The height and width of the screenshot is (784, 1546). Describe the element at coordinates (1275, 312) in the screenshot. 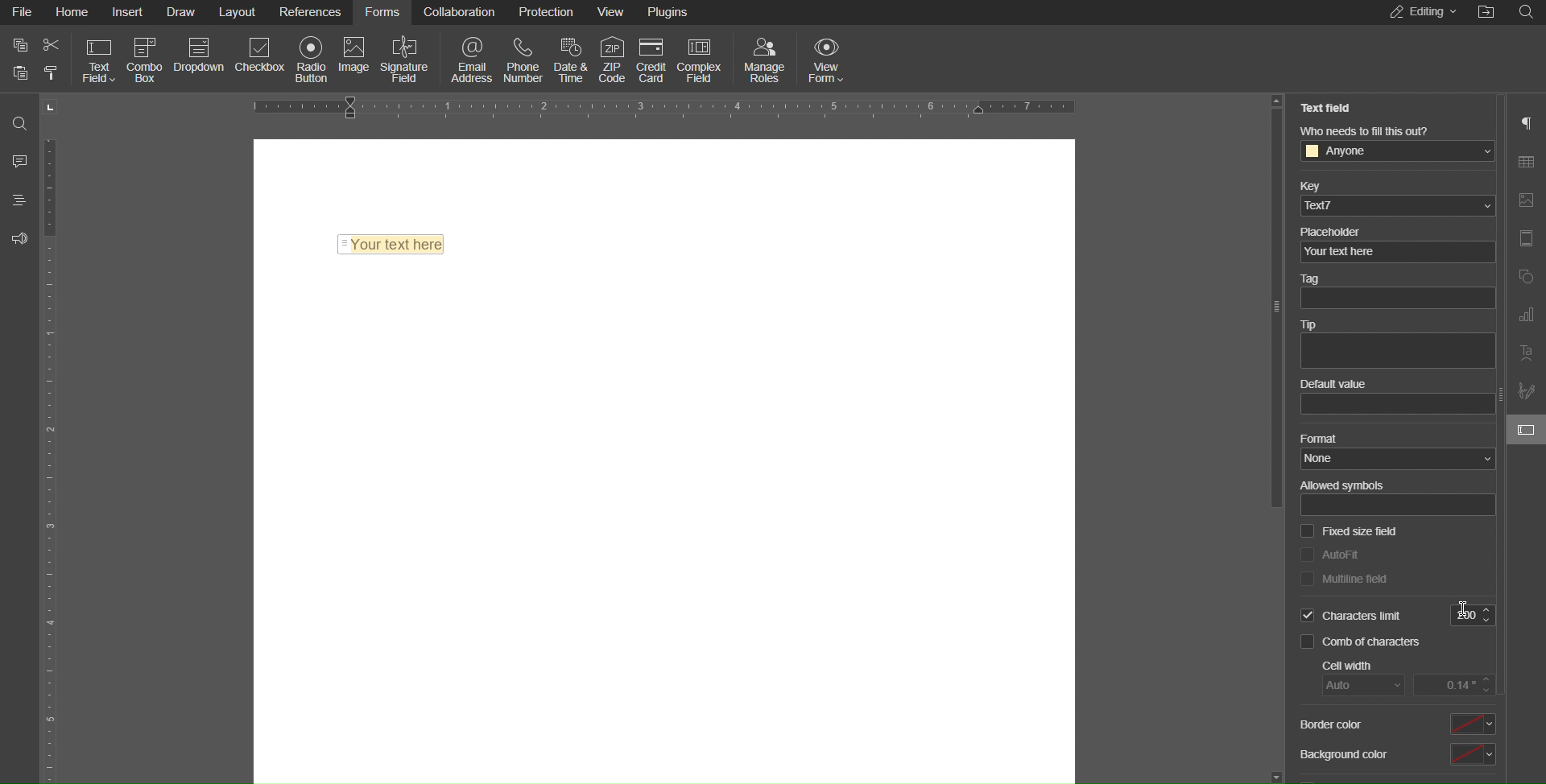

I see `slider` at that location.